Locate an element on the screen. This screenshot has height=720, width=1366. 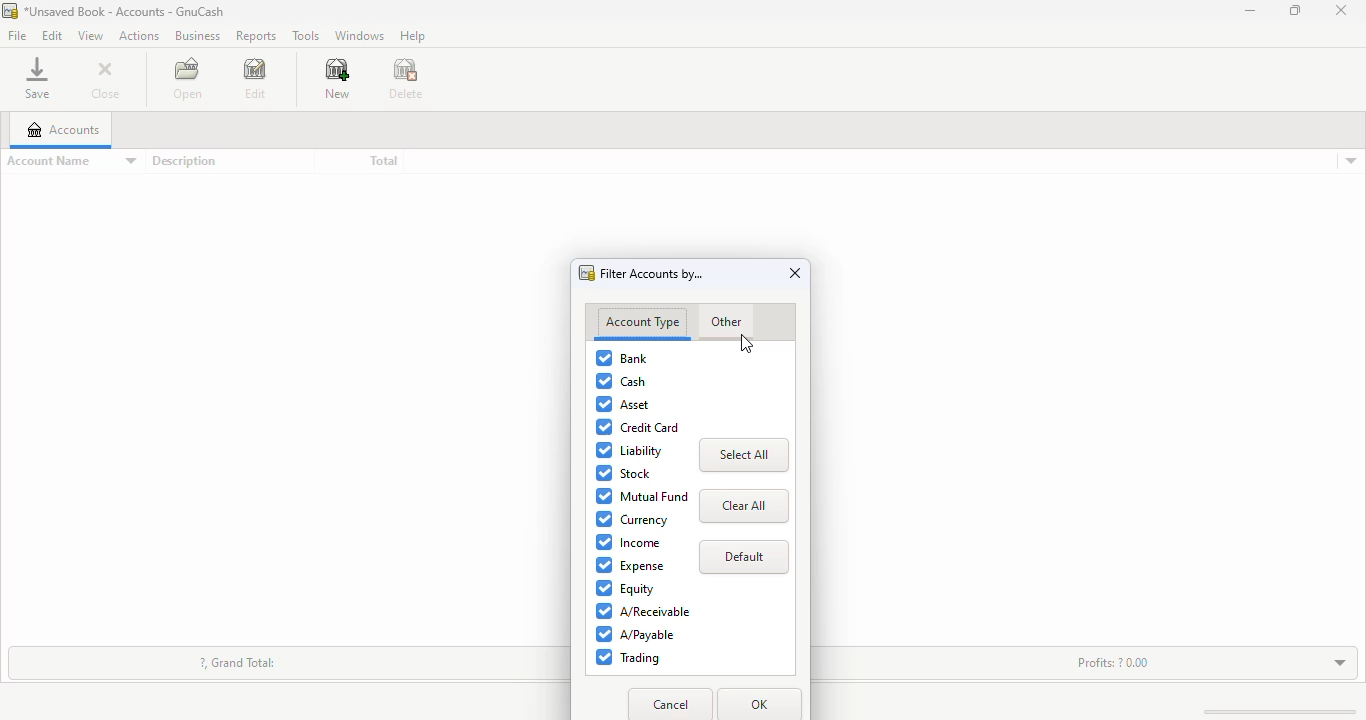
credit card is located at coordinates (637, 427).